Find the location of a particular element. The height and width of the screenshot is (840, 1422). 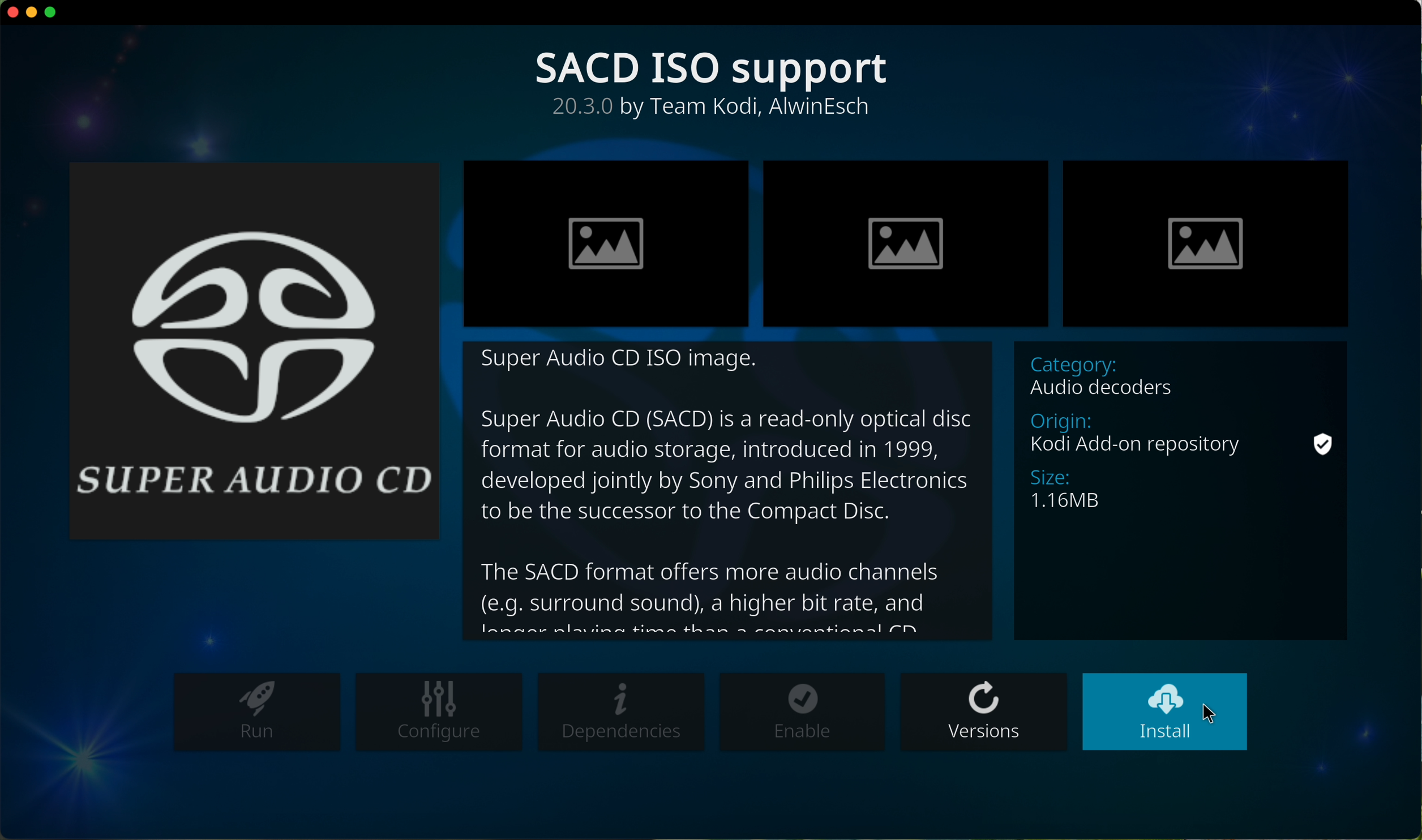

maximize program is located at coordinates (52, 14).